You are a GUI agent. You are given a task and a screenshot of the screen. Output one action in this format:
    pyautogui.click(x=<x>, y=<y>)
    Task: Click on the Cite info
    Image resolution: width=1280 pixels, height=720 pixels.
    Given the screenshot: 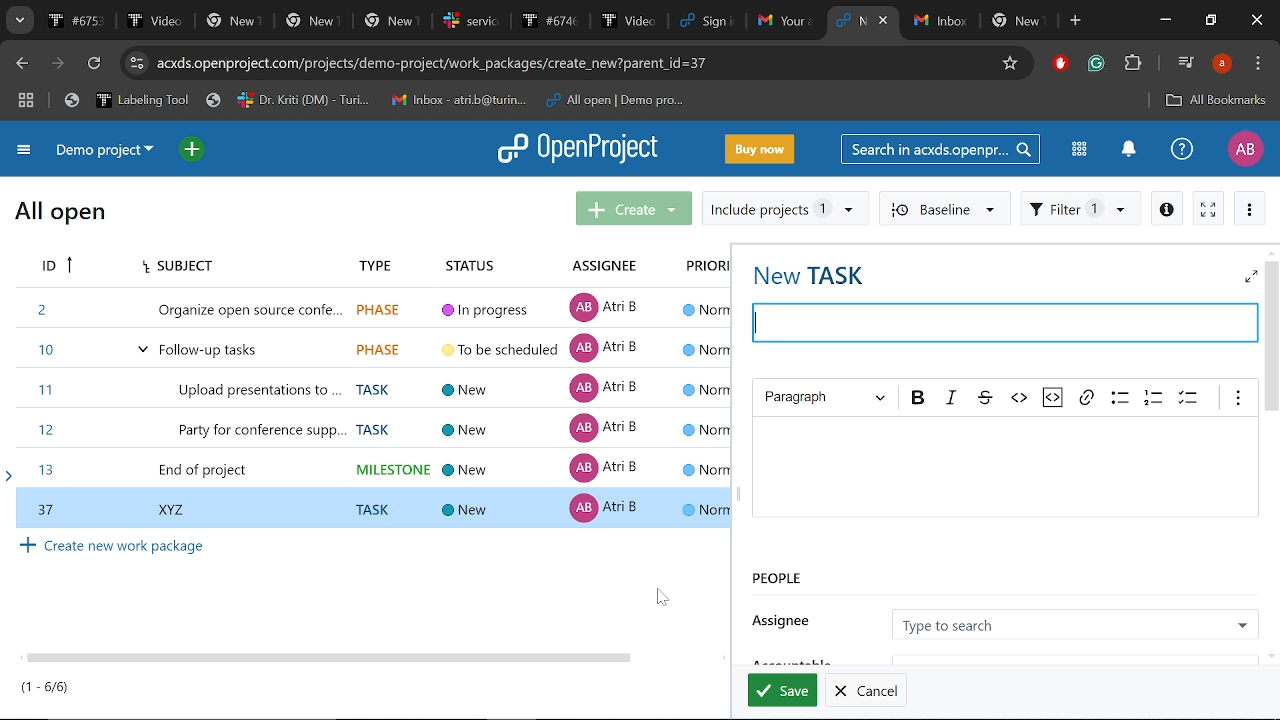 What is the action you would take?
    pyautogui.click(x=137, y=63)
    